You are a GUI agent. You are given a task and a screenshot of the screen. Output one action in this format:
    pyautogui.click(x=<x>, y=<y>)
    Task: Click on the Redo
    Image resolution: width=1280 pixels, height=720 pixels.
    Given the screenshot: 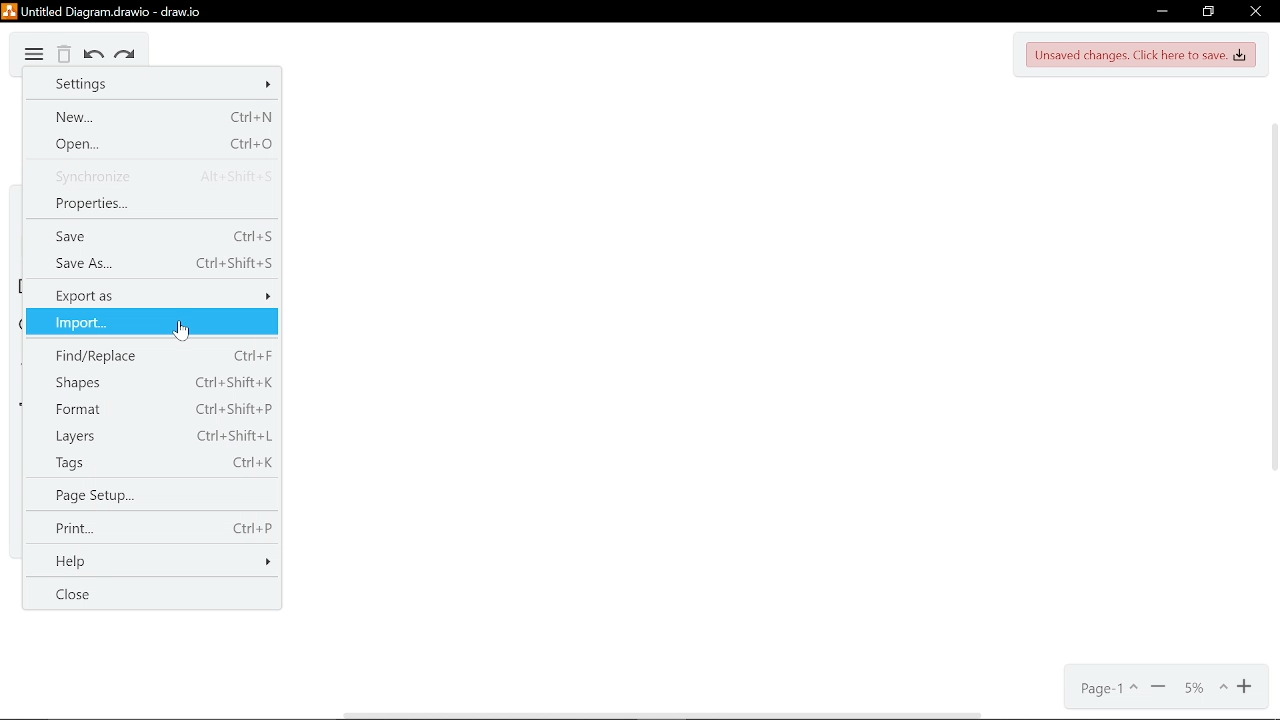 What is the action you would take?
    pyautogui.click(x=123, y=55)
    